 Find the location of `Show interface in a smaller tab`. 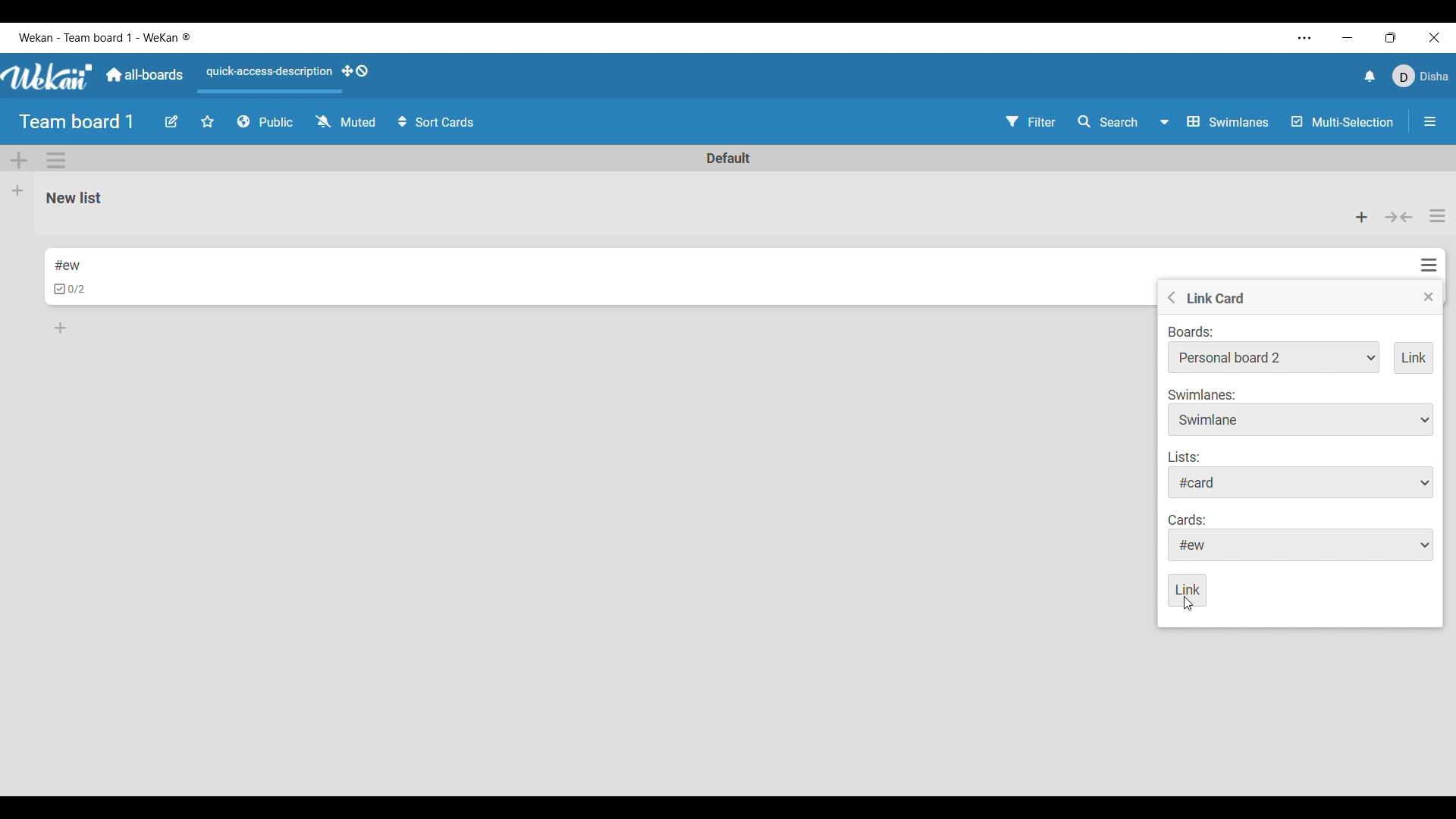

Show interface in a smaller tab is located at coordinates (1391, 38).